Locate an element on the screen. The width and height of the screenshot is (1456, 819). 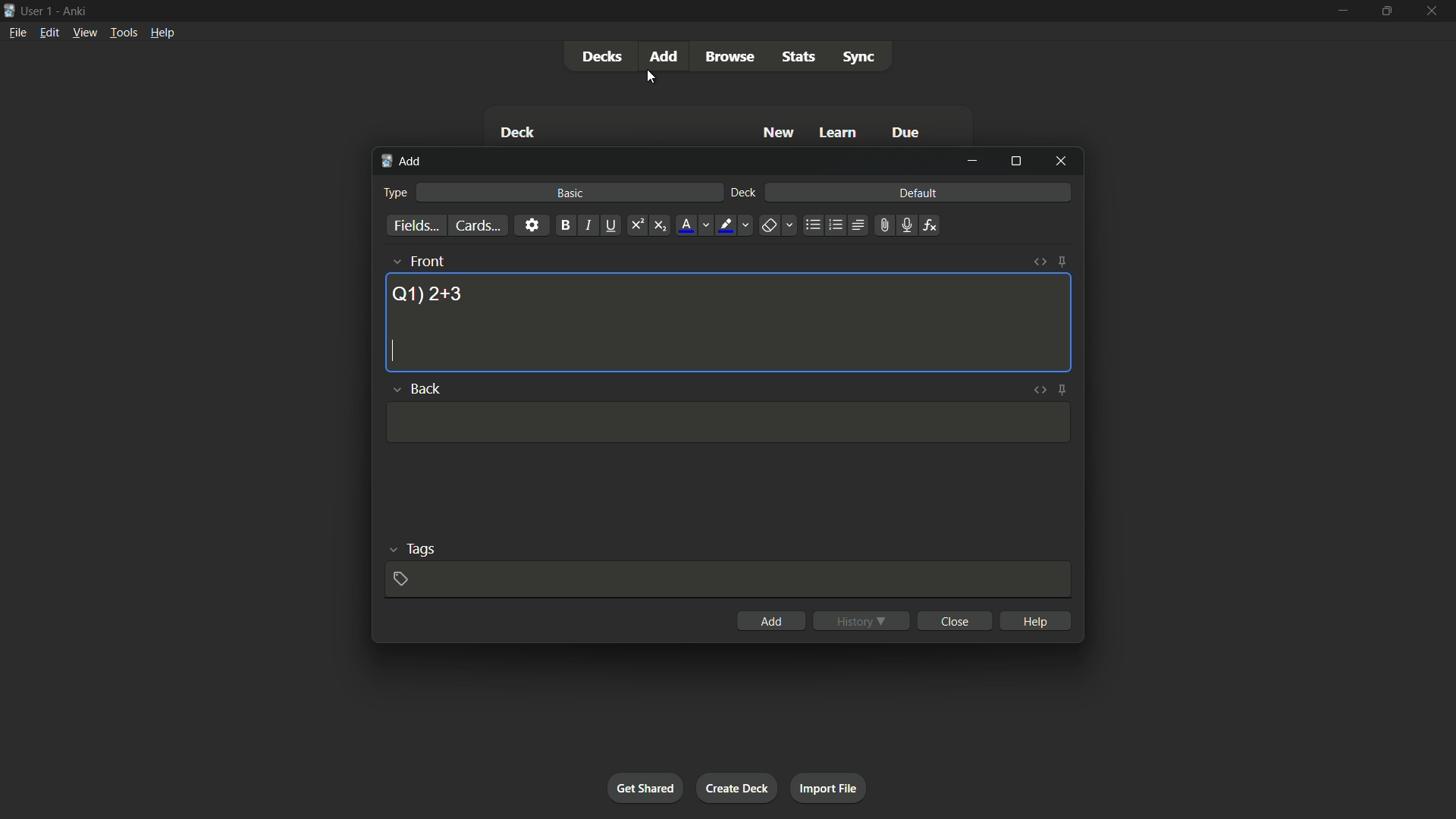
learn is located at coordinates (838, 133).